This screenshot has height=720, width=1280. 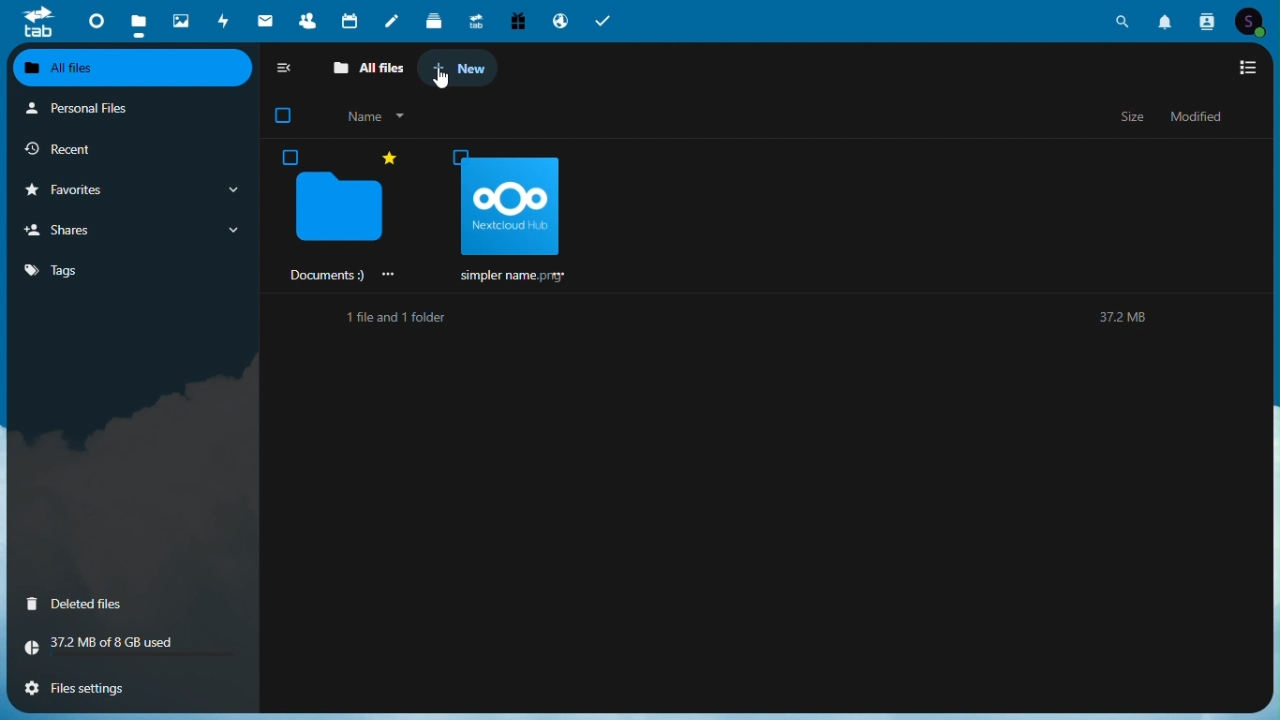 I want to click on Tags, so click(x=128, y=269).